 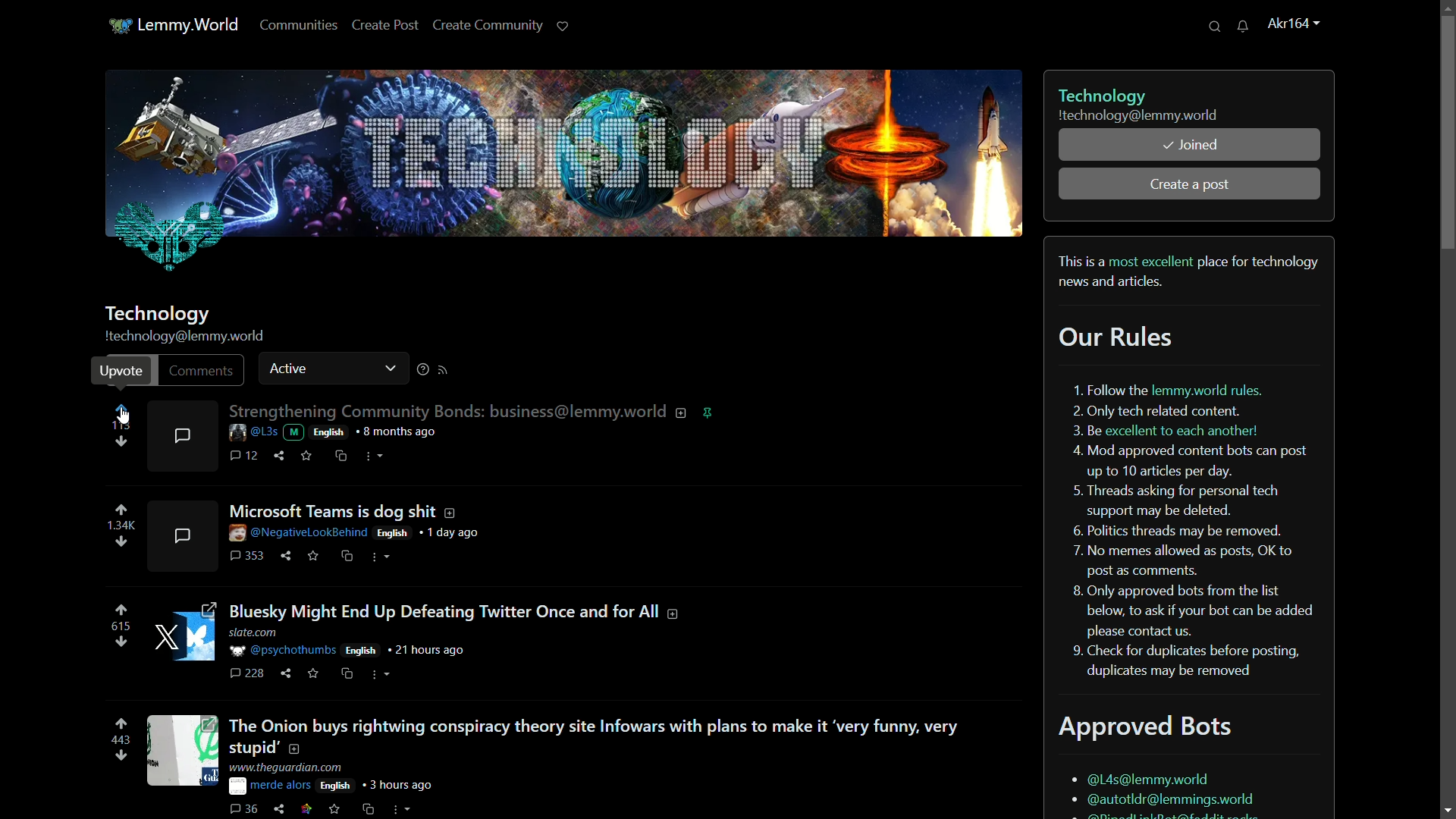 I want to click on save, so click(x=316, y=554).